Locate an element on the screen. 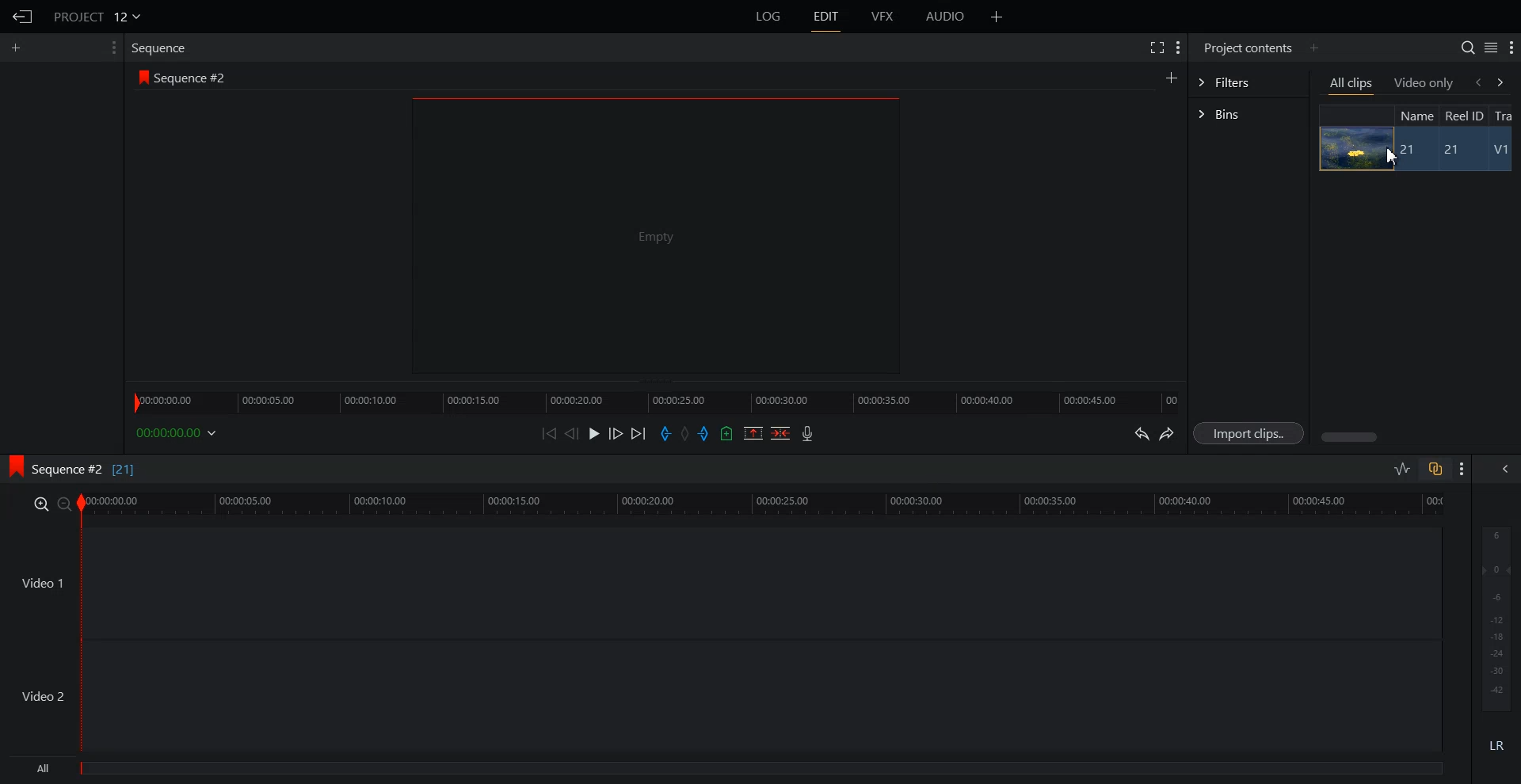  Play is located at coordinates (596, 433).